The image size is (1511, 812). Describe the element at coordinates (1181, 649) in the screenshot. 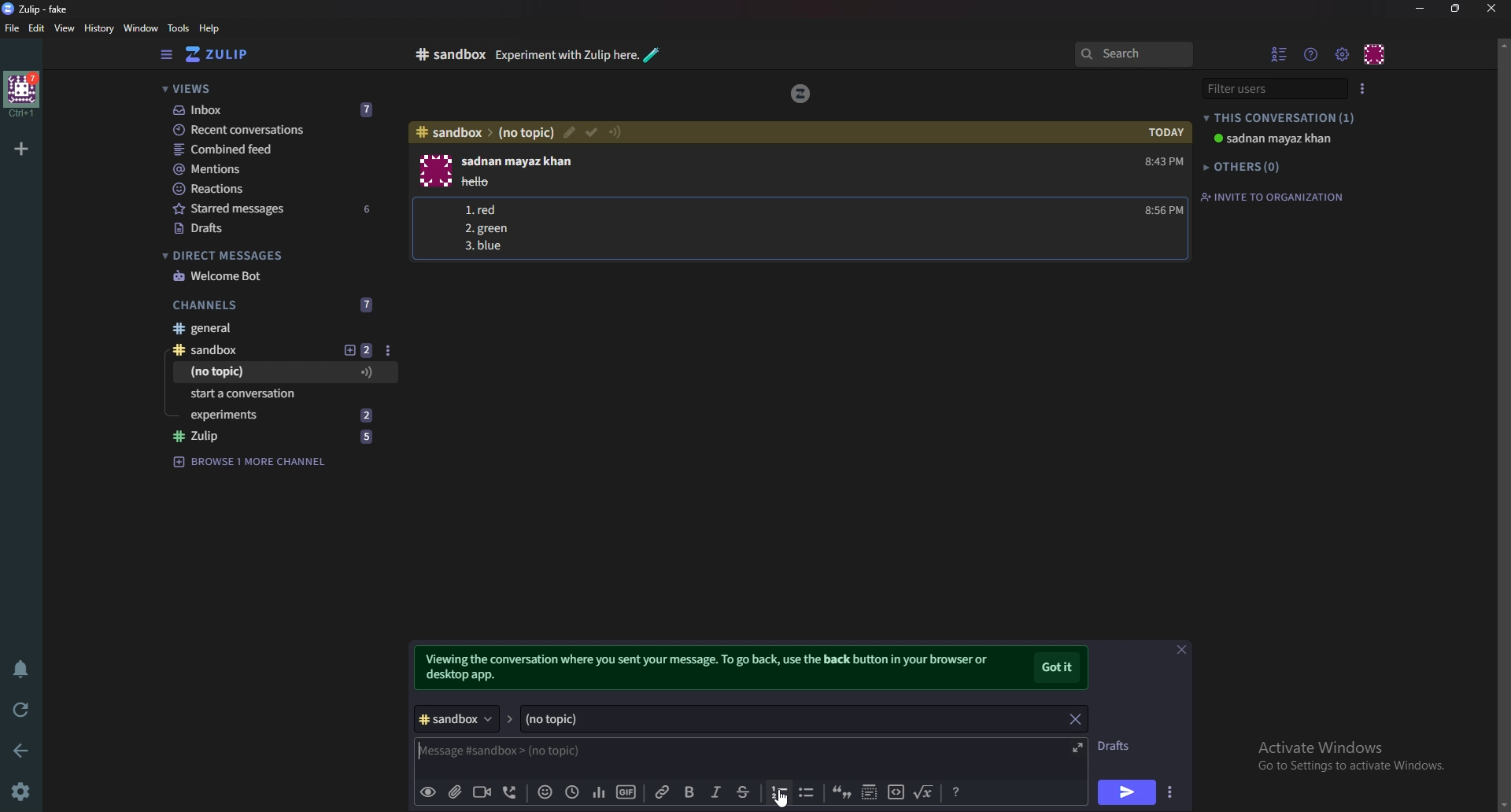

I see `close message` at that location.